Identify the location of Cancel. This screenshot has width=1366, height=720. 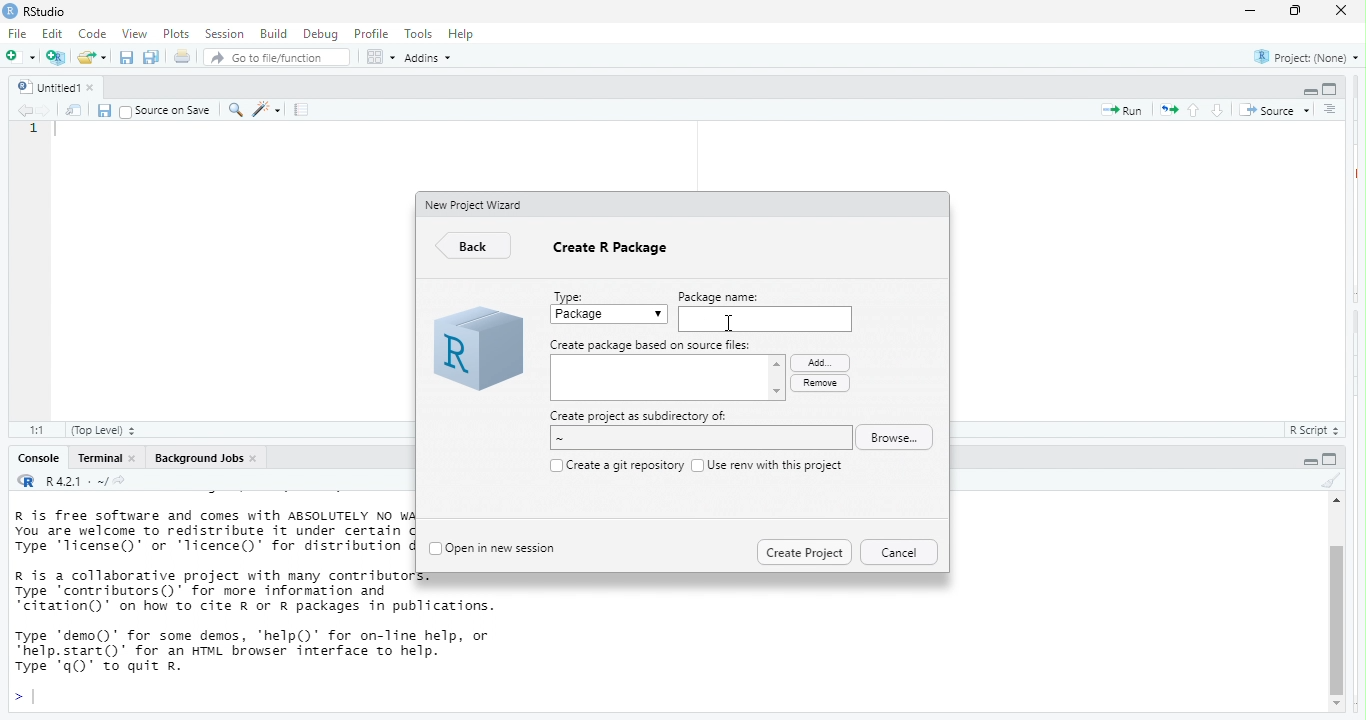
(898, 552).